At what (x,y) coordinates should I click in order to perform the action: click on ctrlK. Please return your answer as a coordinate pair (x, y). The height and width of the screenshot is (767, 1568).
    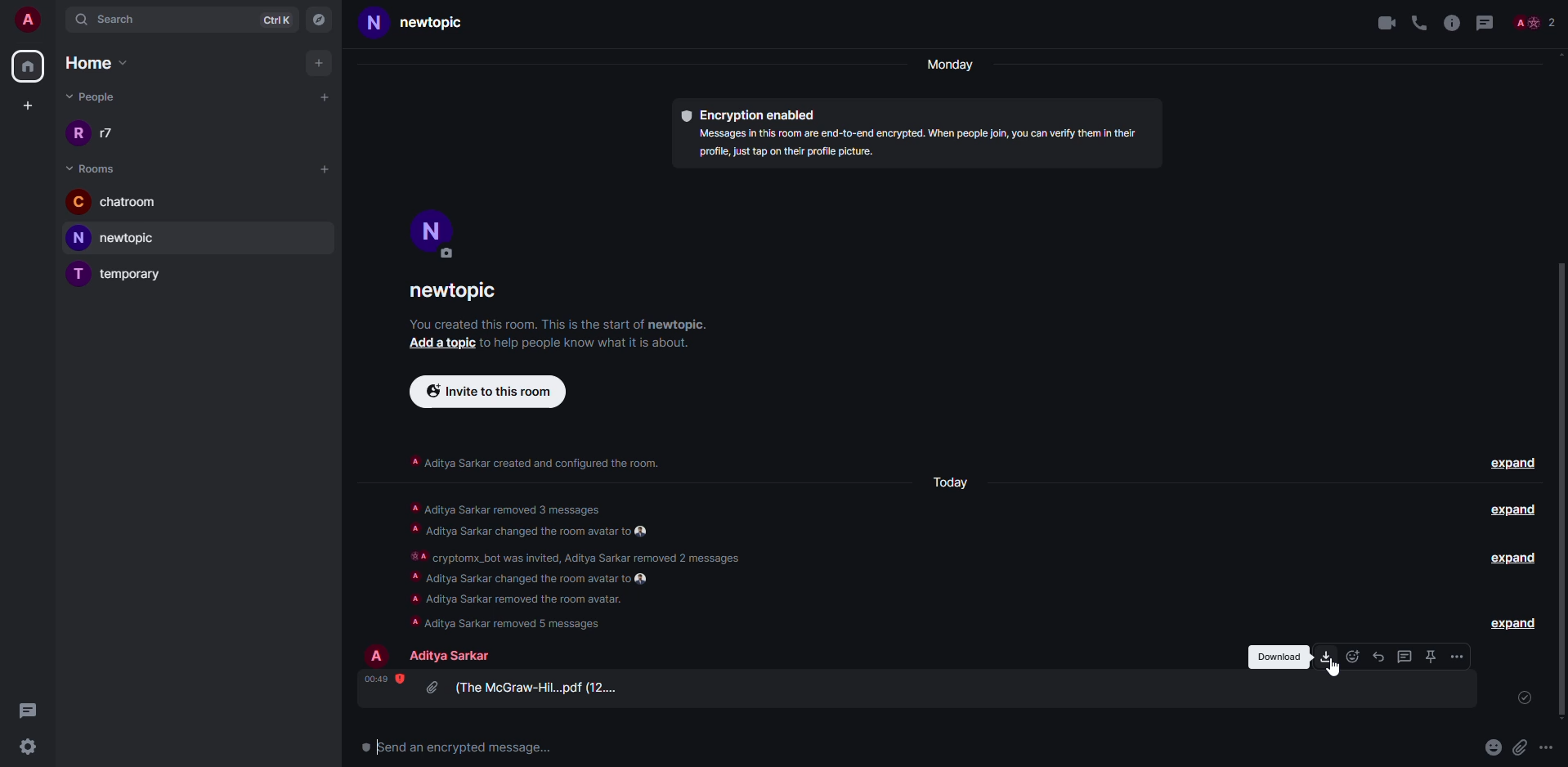
    Looking at the image, I should click on (279, 19).